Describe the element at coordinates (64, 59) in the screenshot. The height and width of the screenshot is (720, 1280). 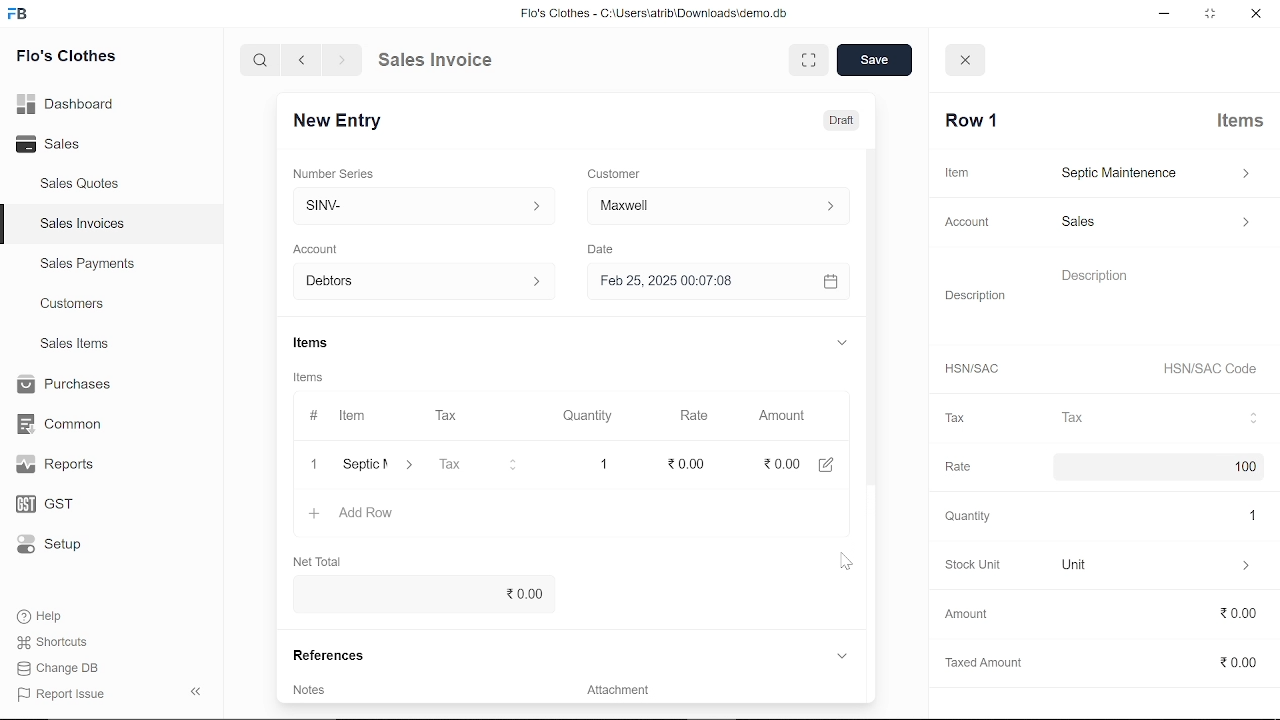
I see `Flo's Clothes` at that location.